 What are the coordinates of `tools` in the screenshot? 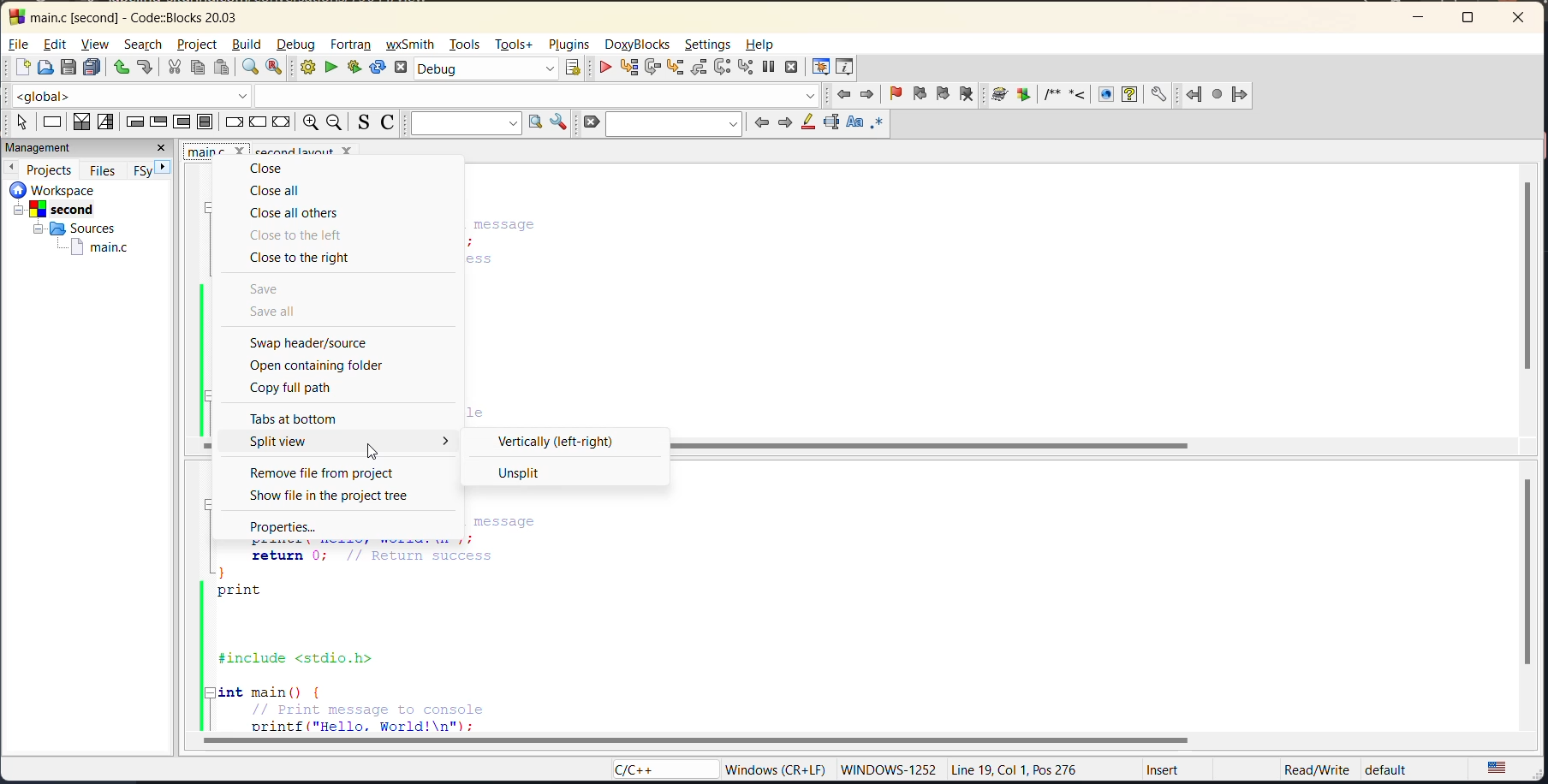 It's located at (467, 43).